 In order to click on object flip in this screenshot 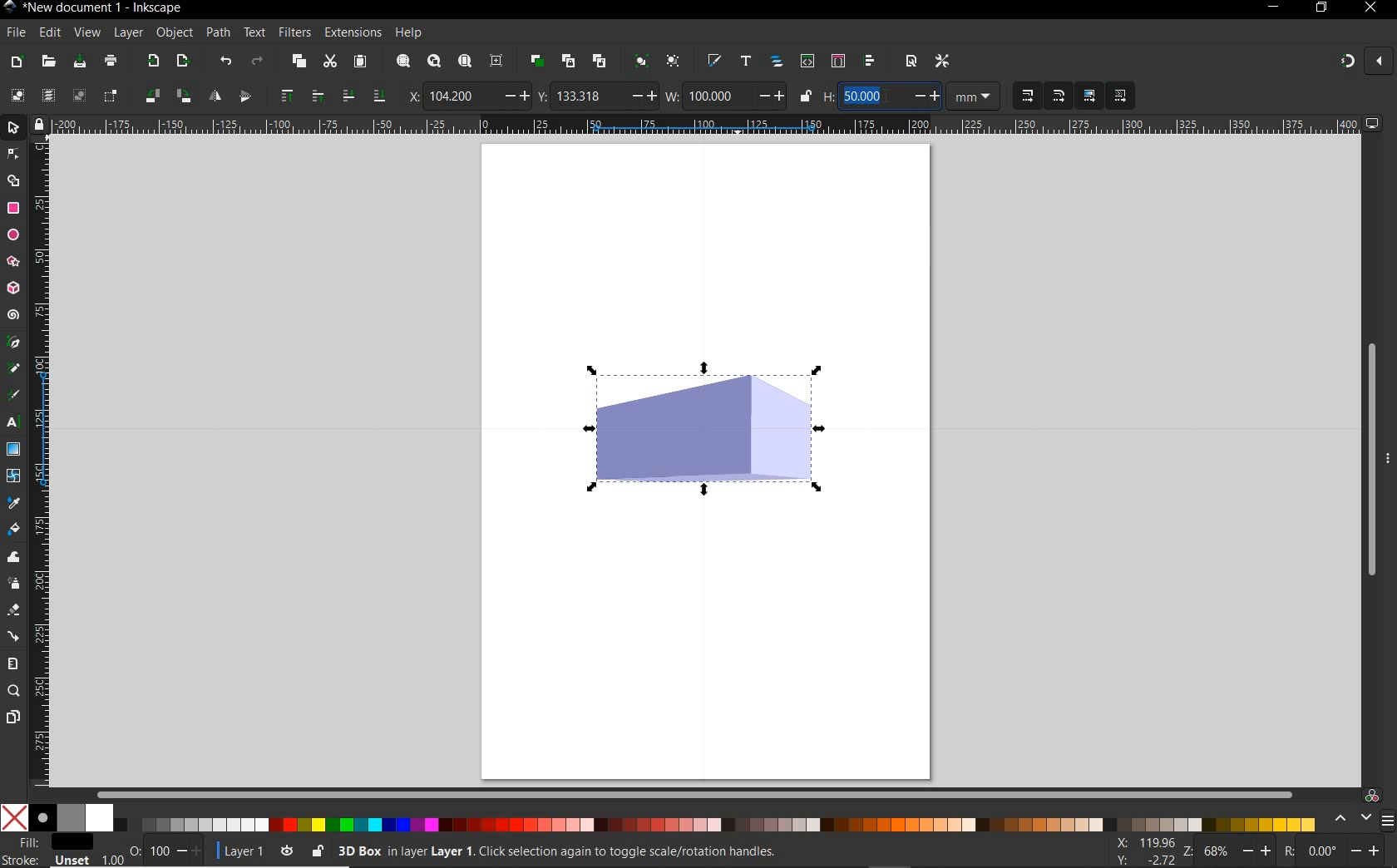, I will do `click(213, 97)`.